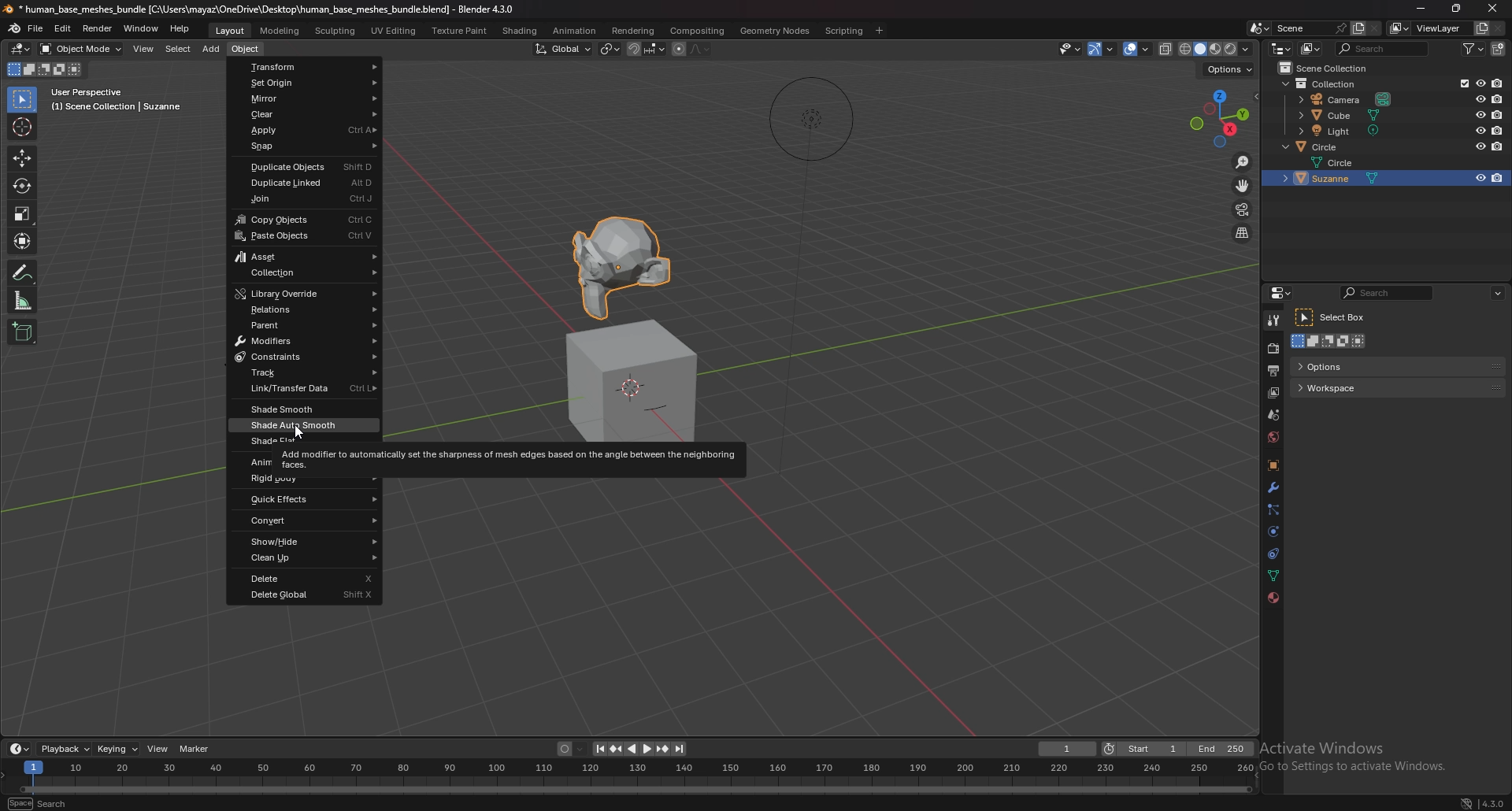  I want to click on jump to keyframe, so click(661, 749).